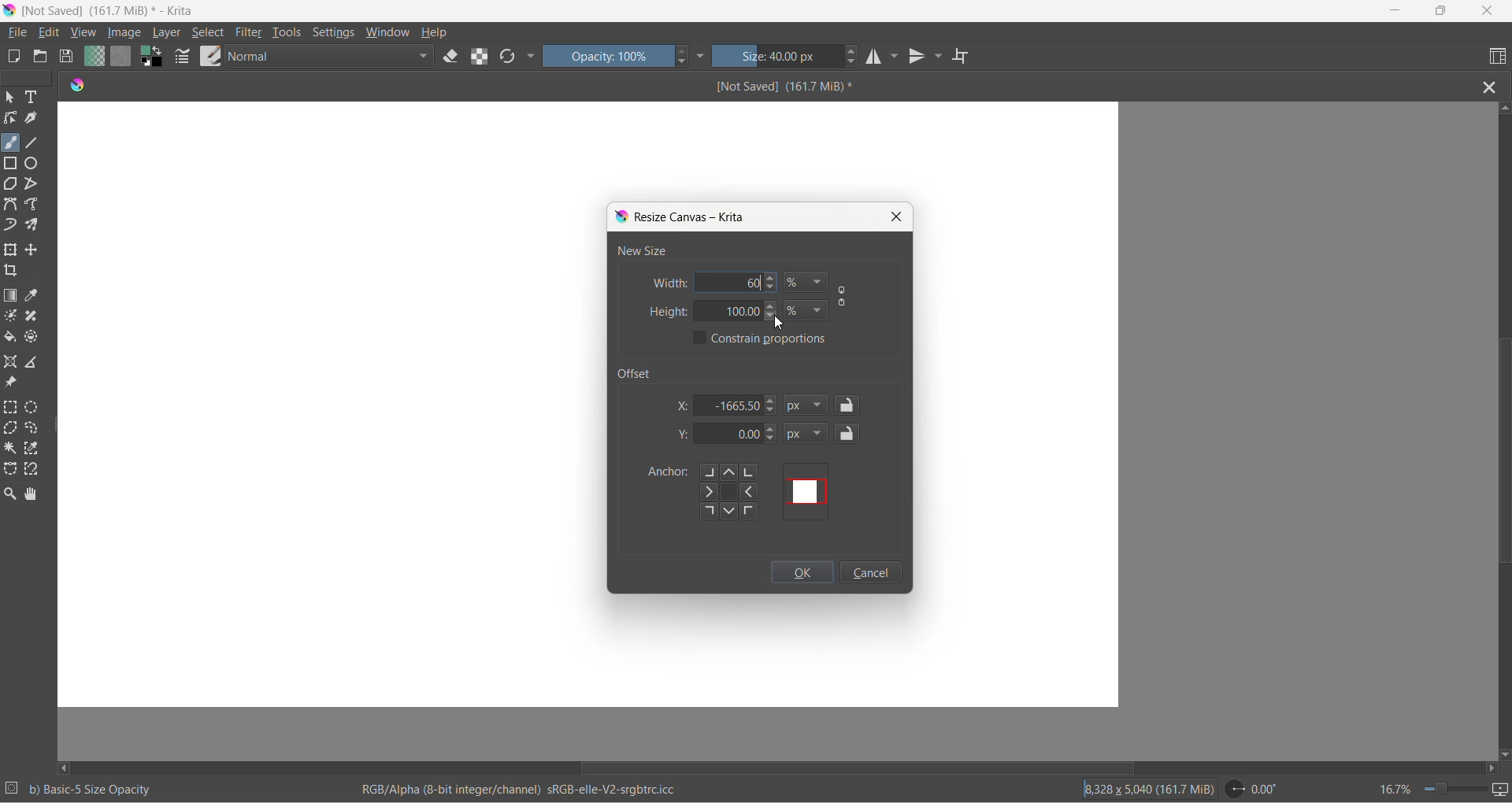 The width and height of the screenshot is (1512, 803). Describe the element at coordinates (683, 52) in the screenshot. I see `increment opacity` at that location.